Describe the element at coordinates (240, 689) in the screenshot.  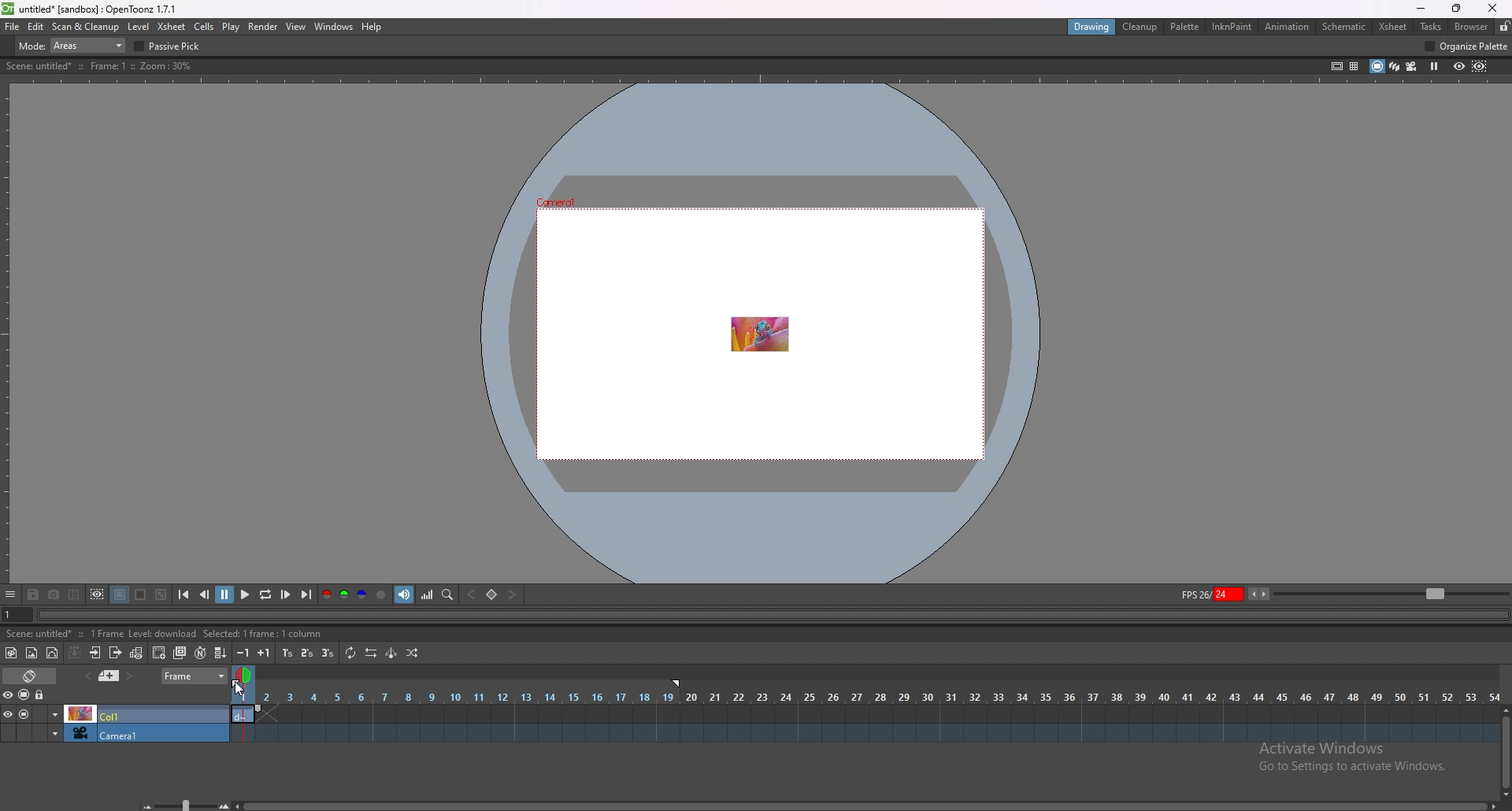
I see `cursor` at that location.